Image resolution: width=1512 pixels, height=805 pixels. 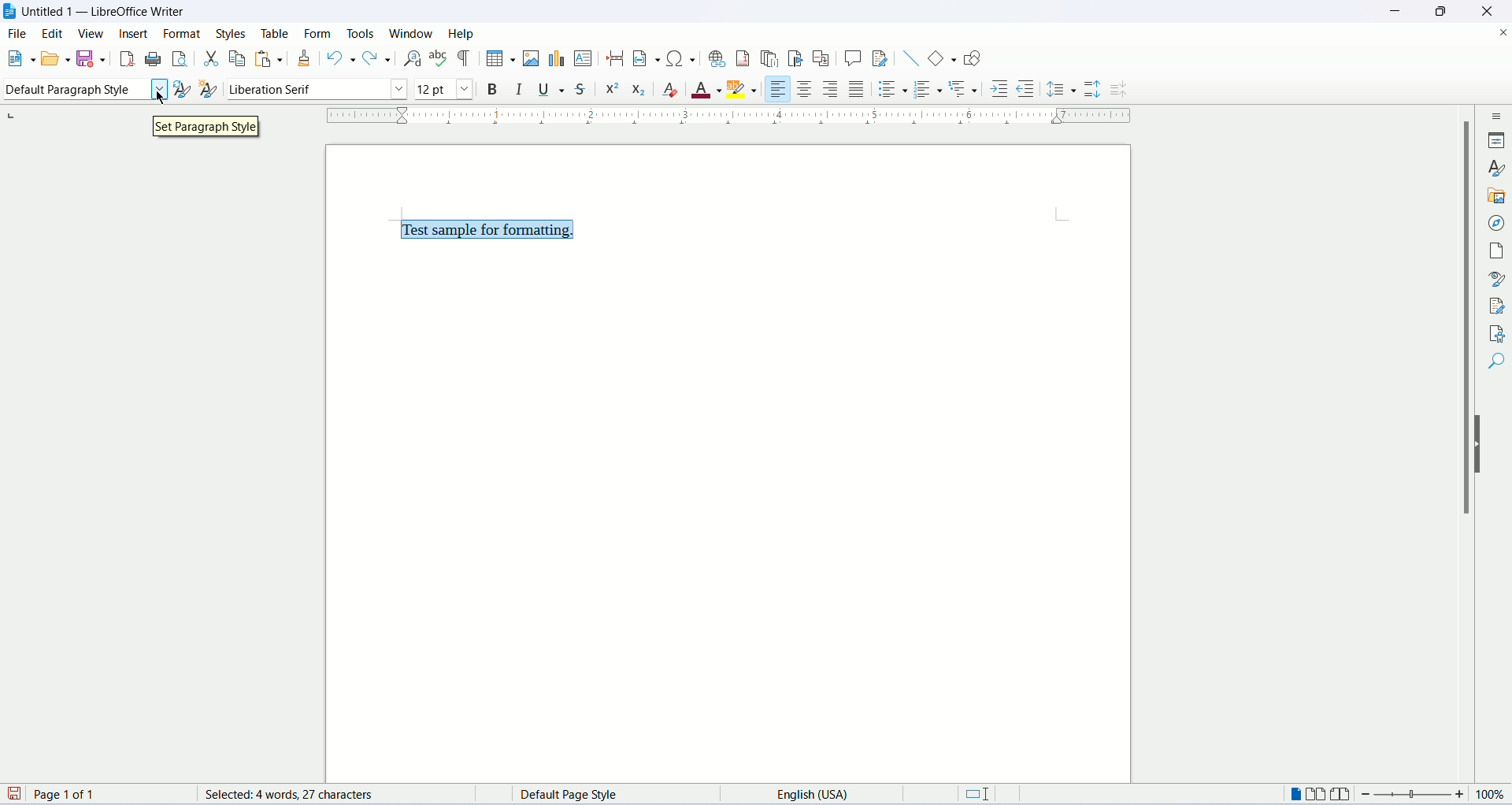 I want to click on draw function, so click(x=972, y=58).